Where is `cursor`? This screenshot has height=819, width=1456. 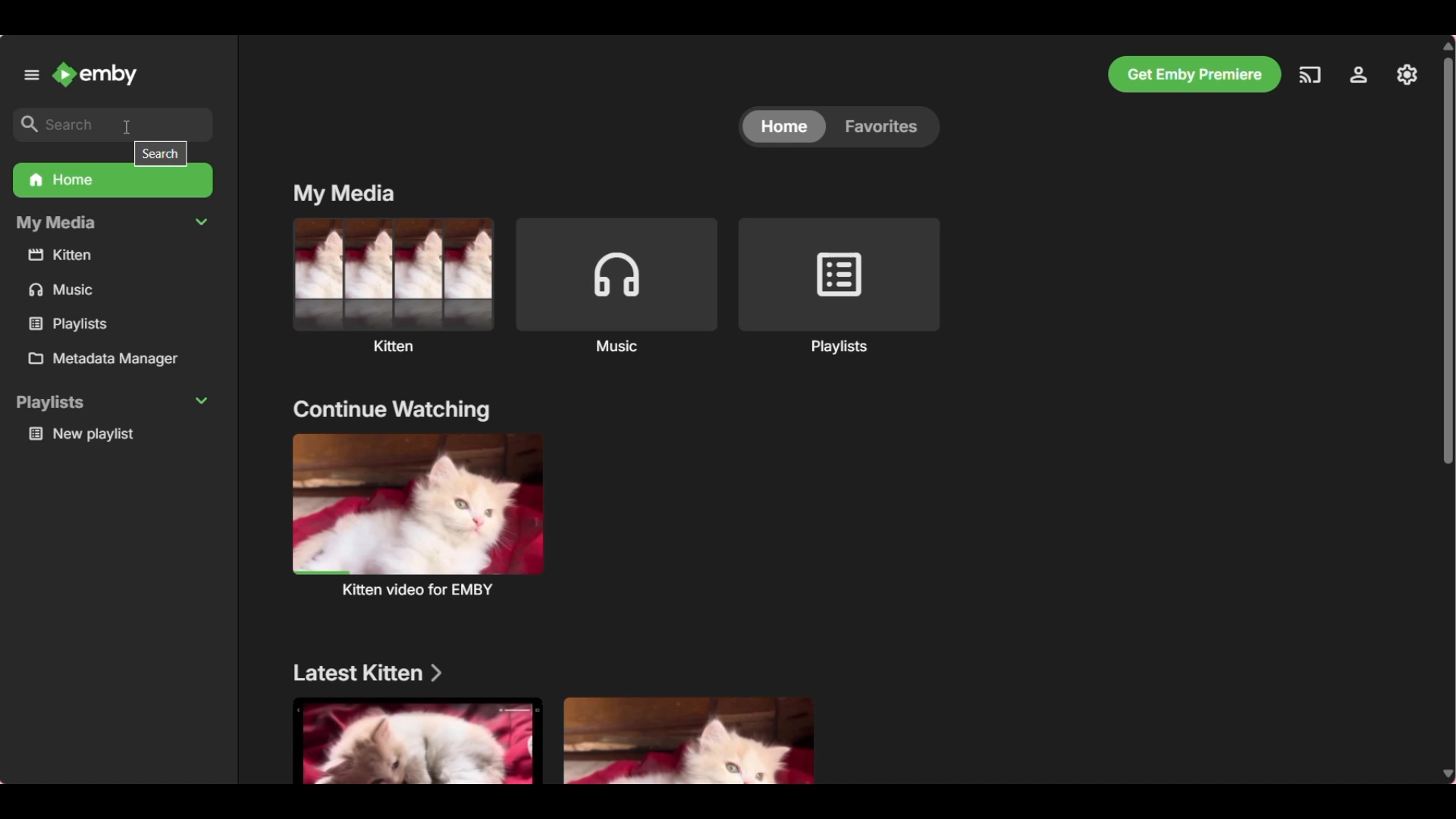
cursor is located at coordinates (128, 122).